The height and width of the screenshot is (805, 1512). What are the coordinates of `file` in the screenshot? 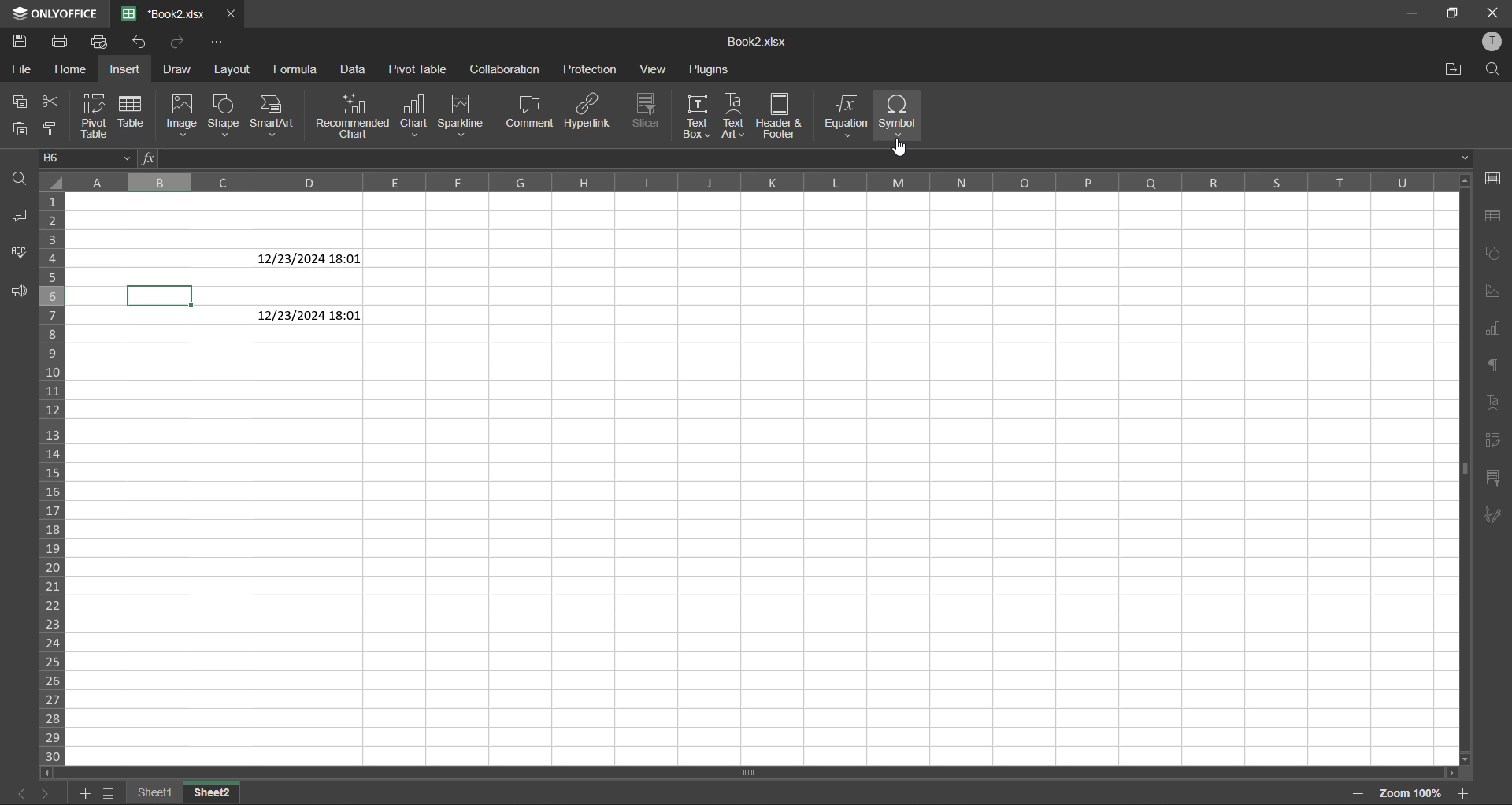 It's located at (19, 69).